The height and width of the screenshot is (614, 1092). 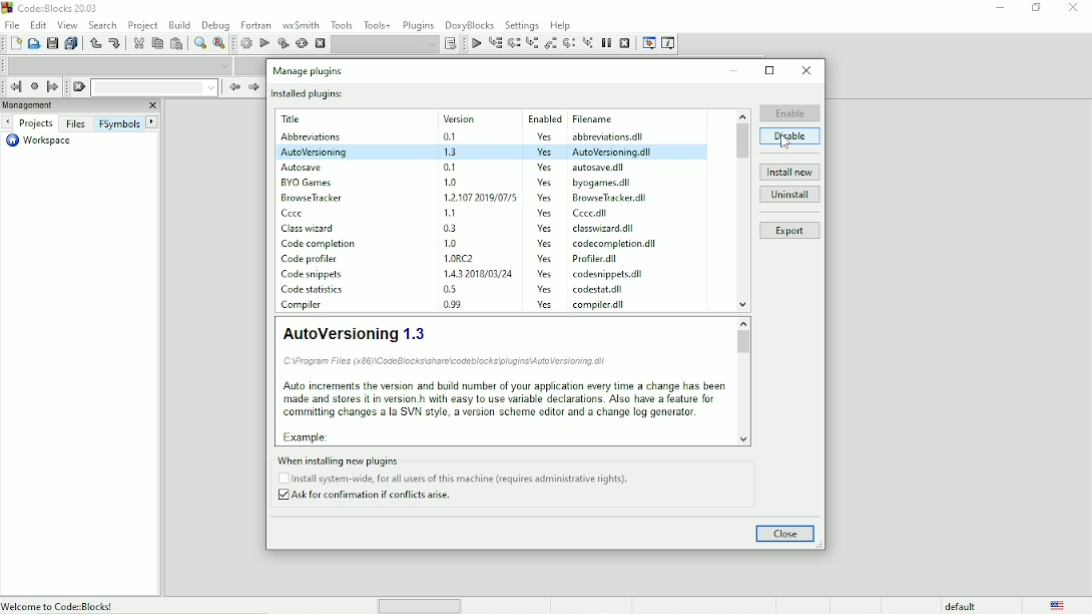 What do you see at coordinates (561, 24) in the screenshot?
I see `Help` at bounding box center [561, 24].